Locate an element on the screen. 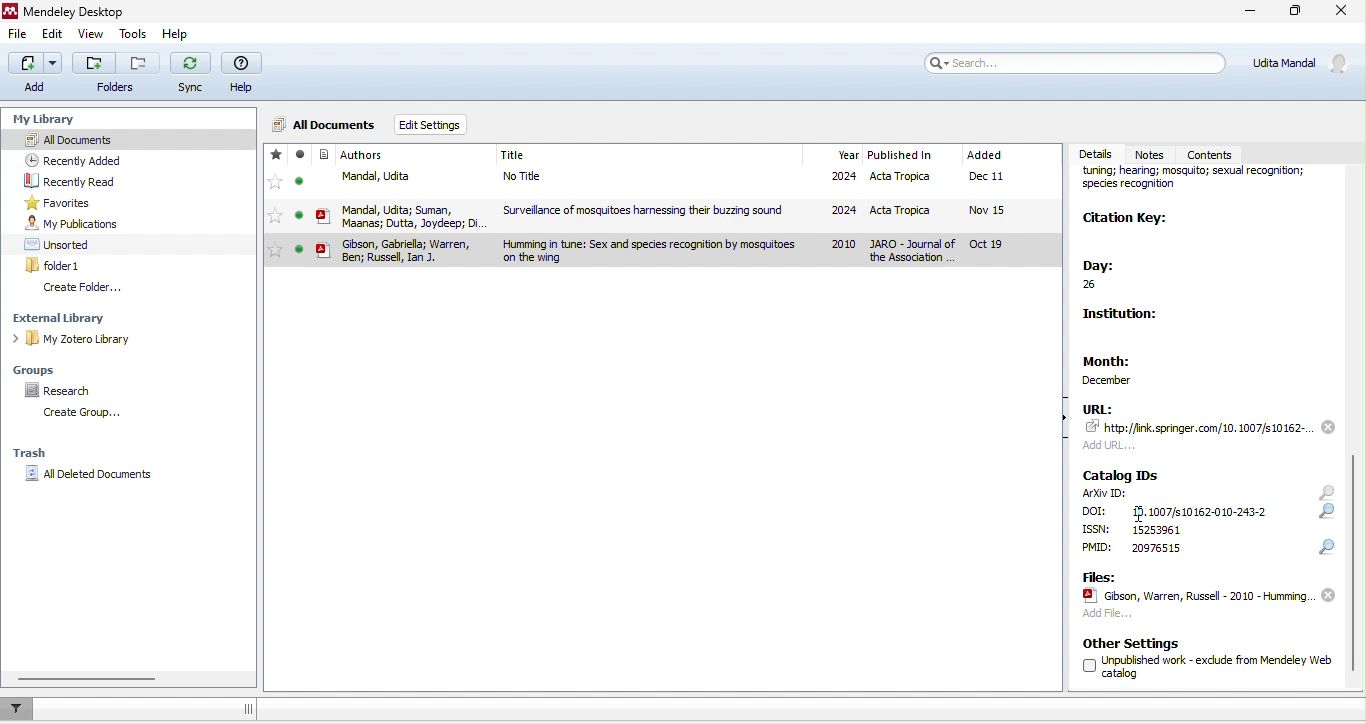 The image size is (1366, 724). text is located at coordinates (1107, 493).